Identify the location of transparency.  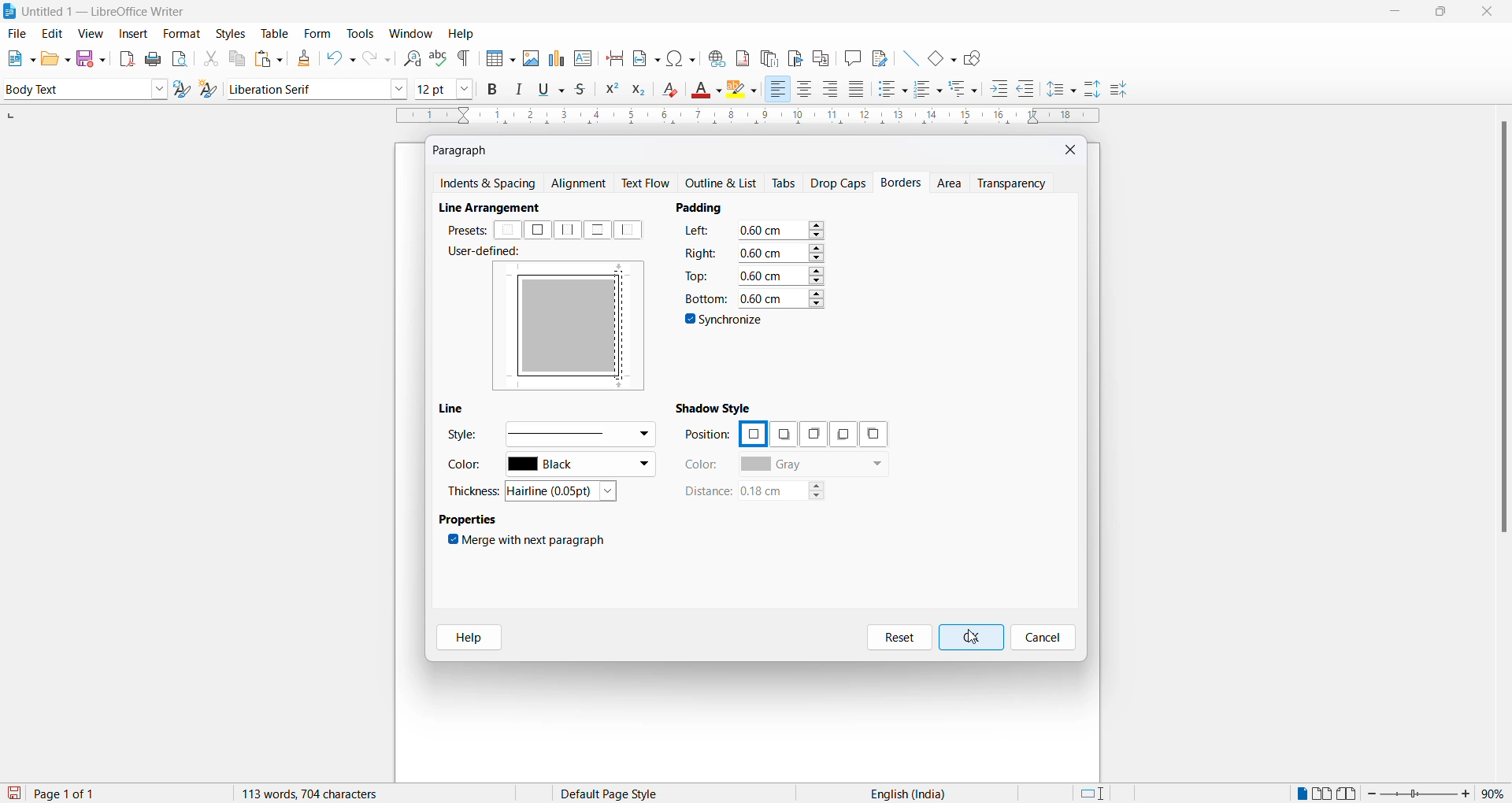
(1017, 183).